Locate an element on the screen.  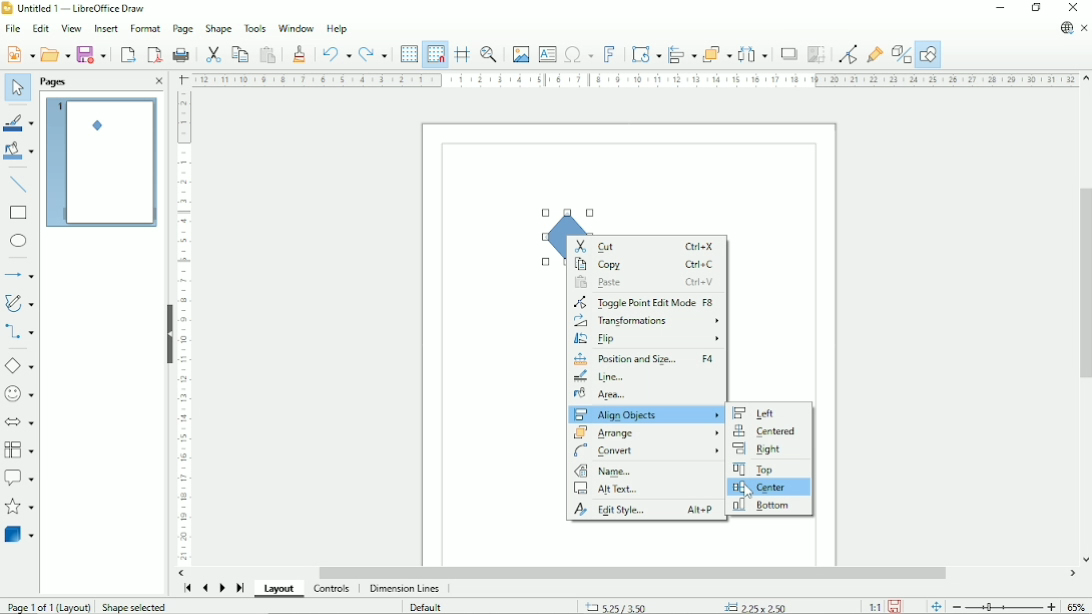
Vertical scrollbar is located at coordinates (1083, 284).